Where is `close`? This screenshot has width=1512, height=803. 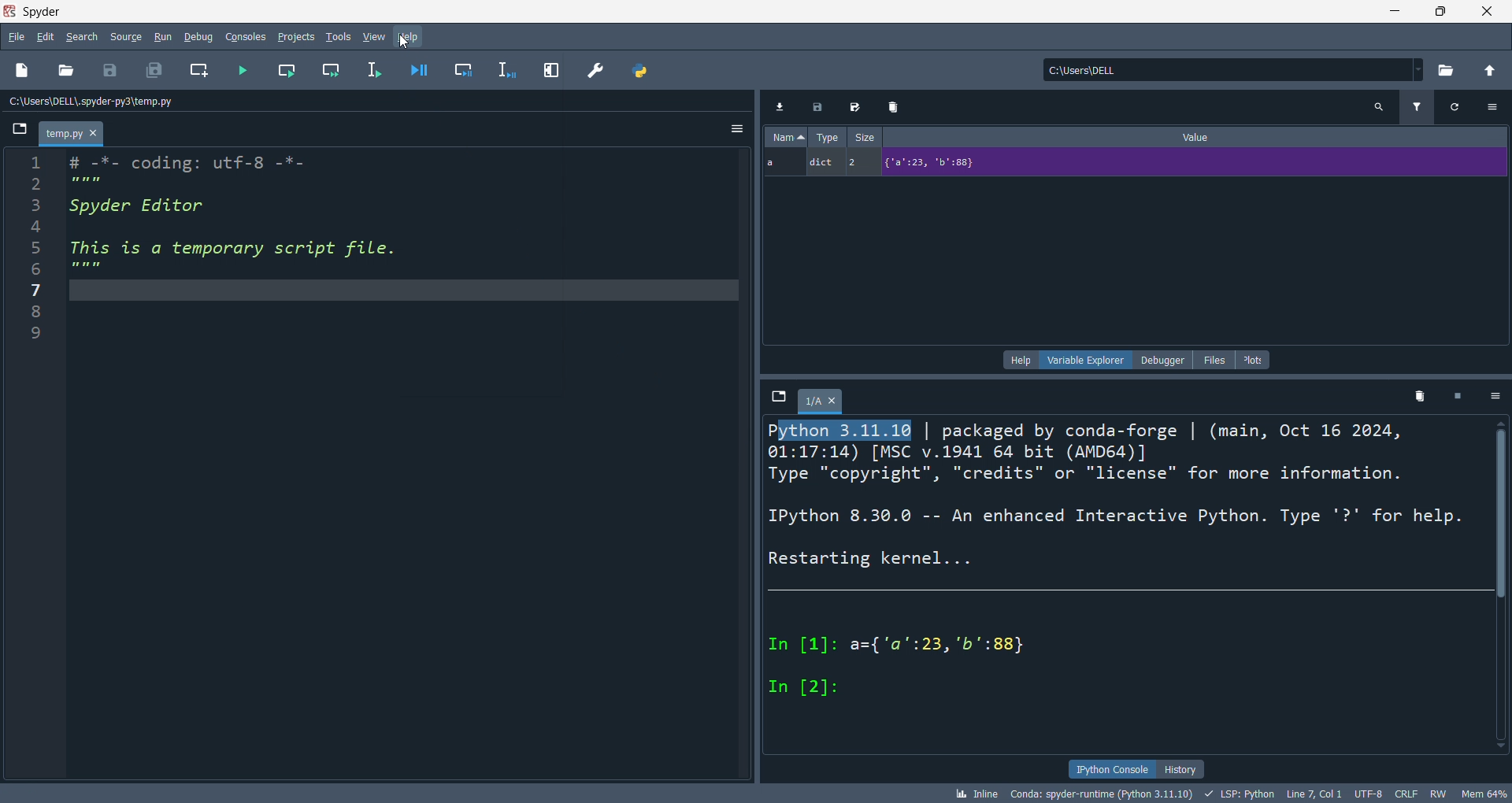 close is located at coordinates (1488, 12).